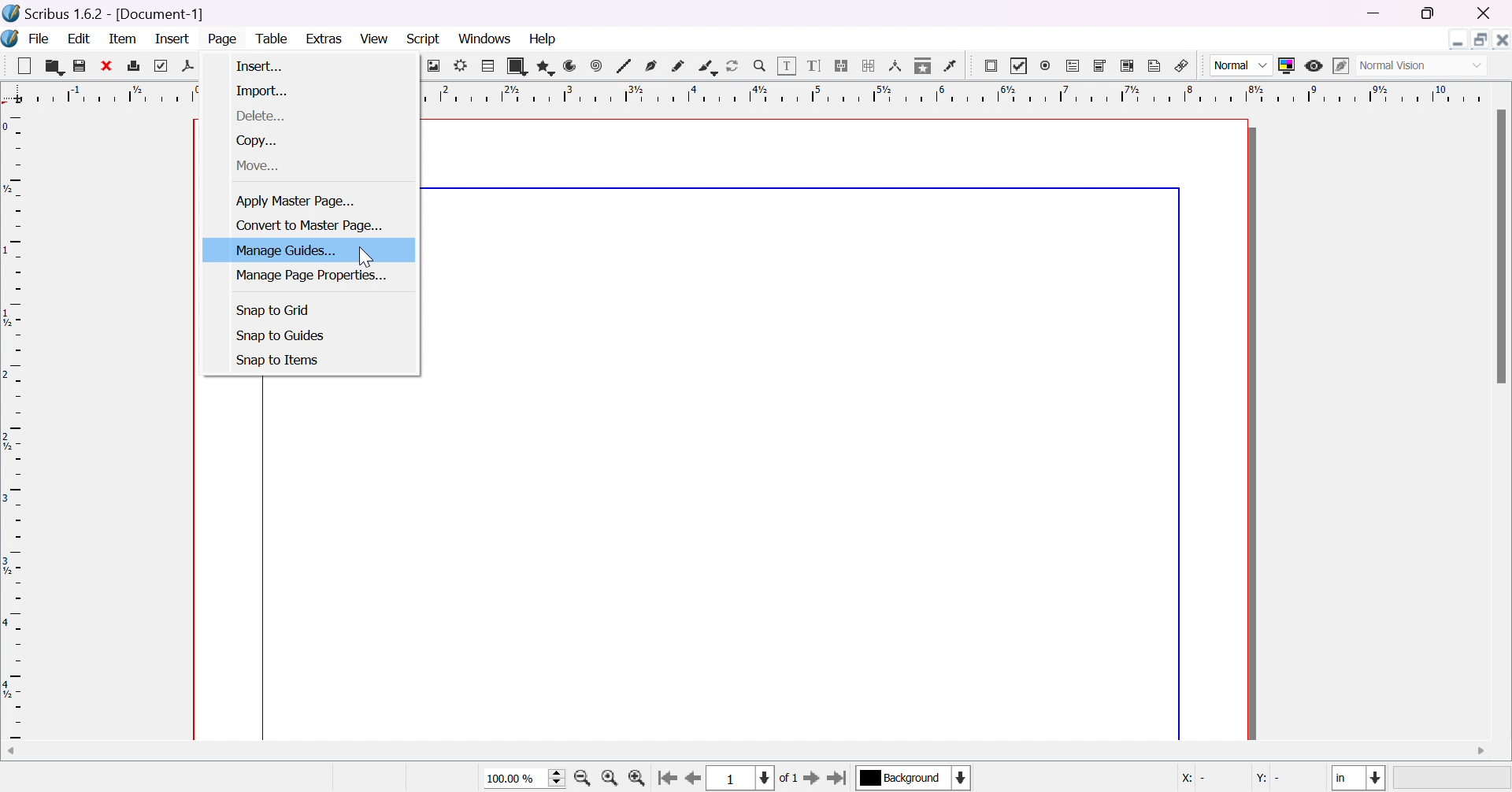  Describe the element at coordinates (585, 777) in the screenshot. I see `zoom out` at that location.